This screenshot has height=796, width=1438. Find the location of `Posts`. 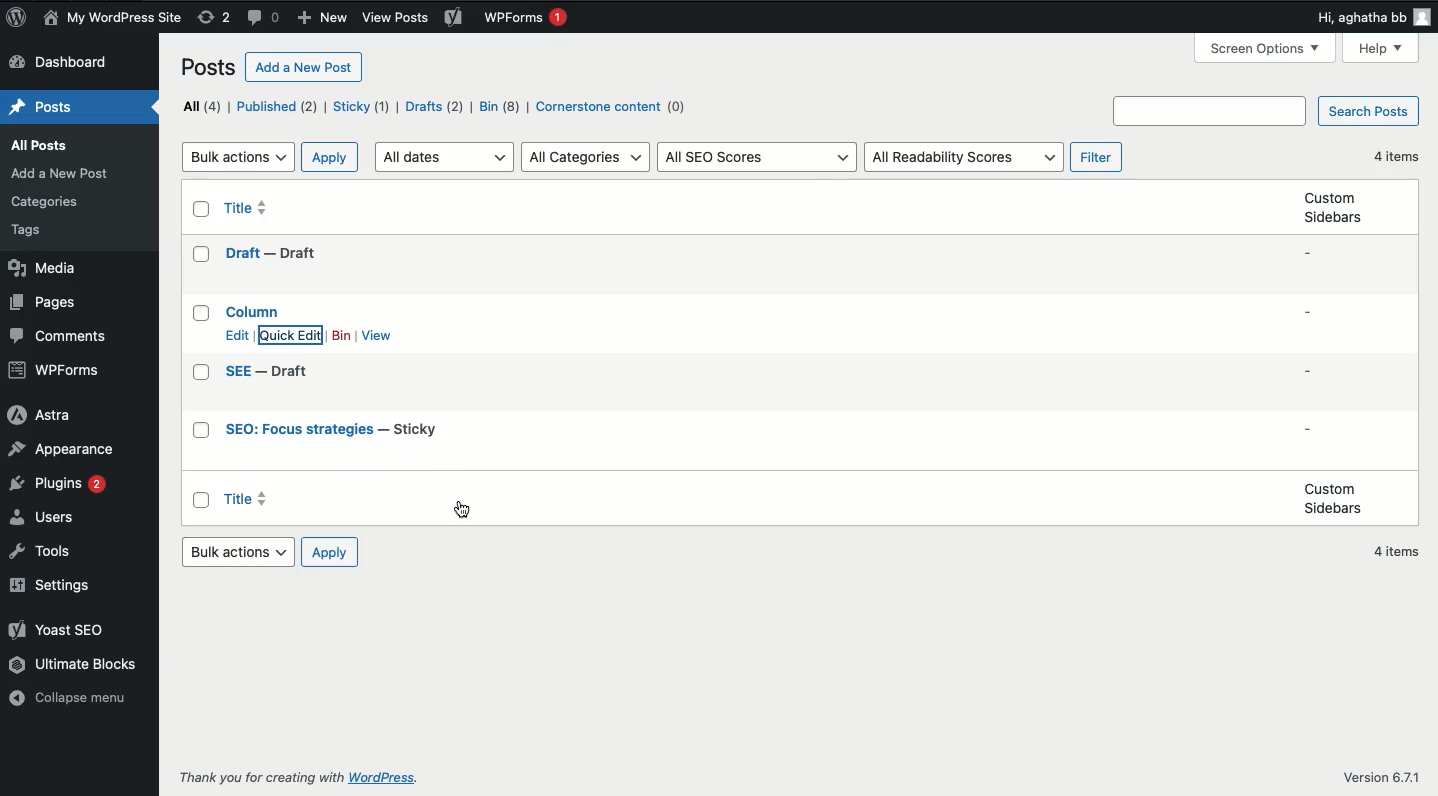

Posts is located at coordinates (206, 70).